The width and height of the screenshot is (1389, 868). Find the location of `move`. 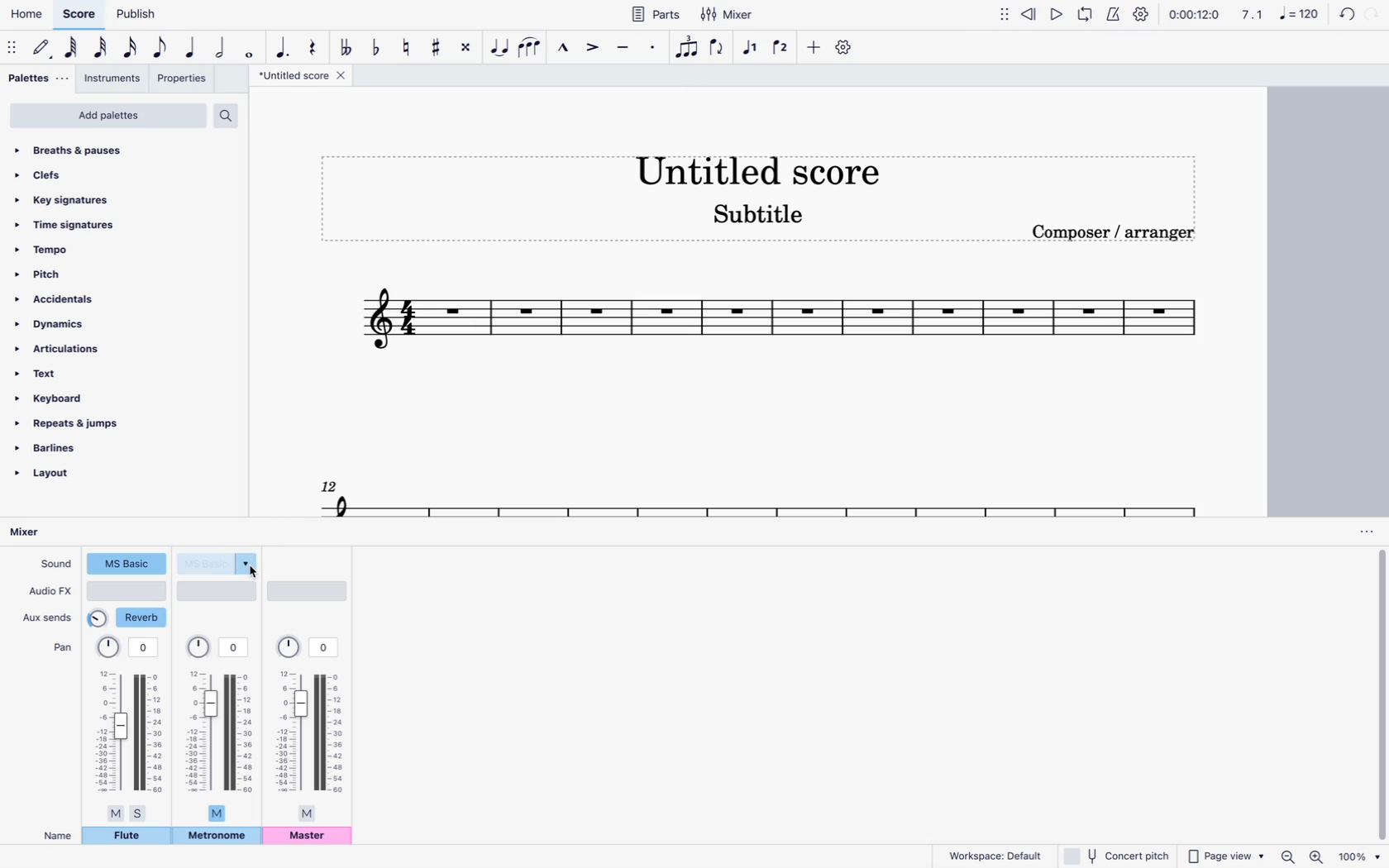

move is located at coordinates (1005, 18).